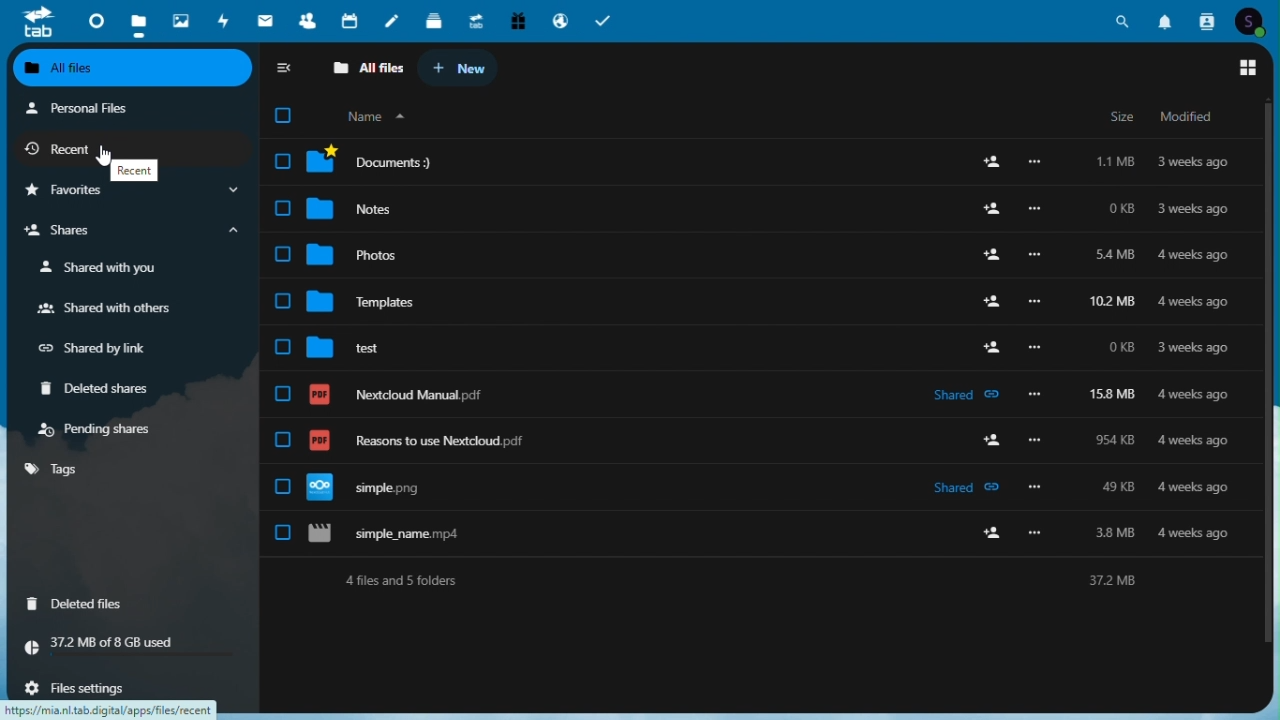  Describe the element at coordinates (130, 643) in the screenshot. I see `Storage` at that location.